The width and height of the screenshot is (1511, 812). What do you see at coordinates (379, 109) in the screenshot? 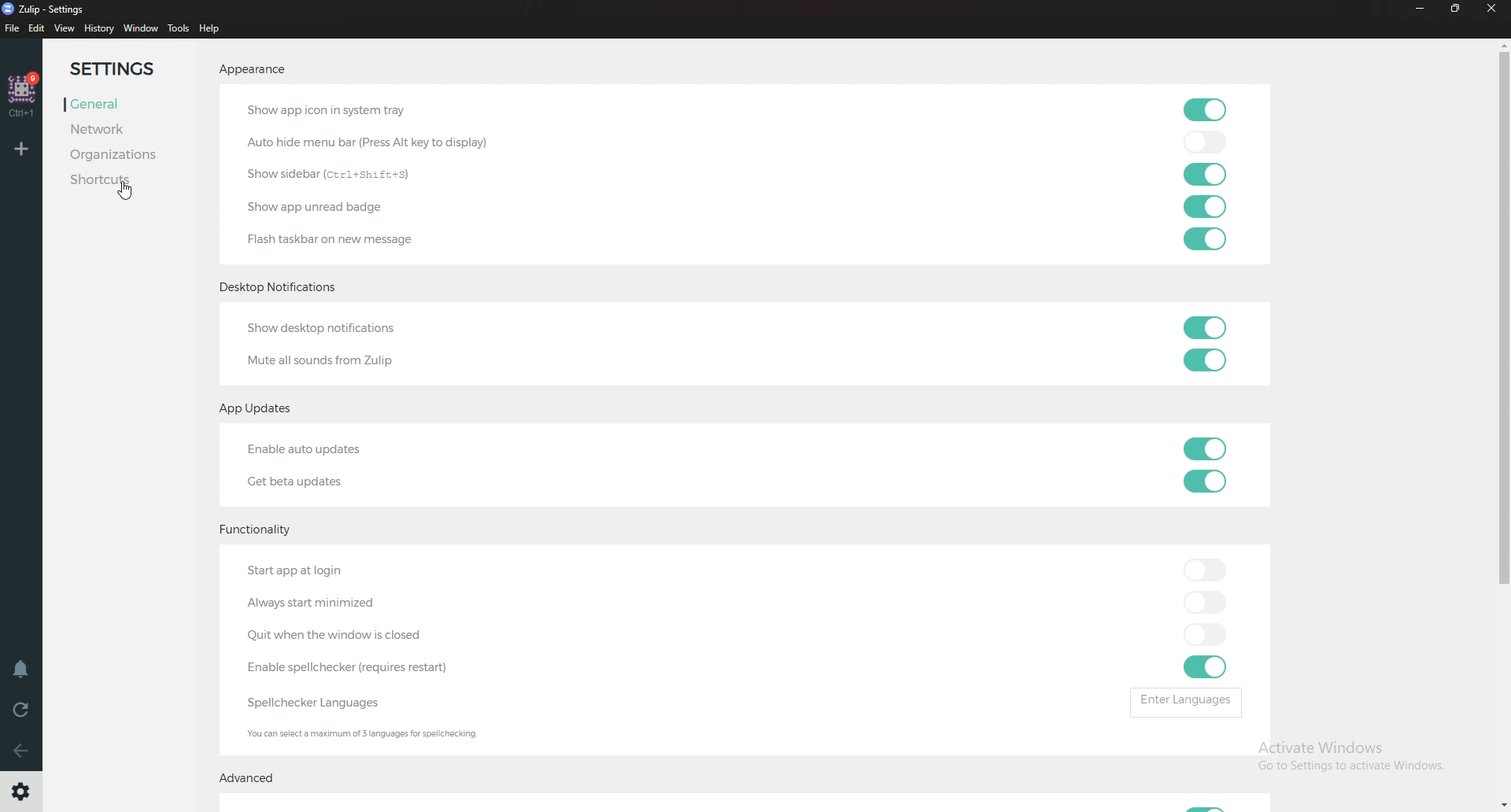
I see `Show app icon in system tray` at bounding box center [379, 109].